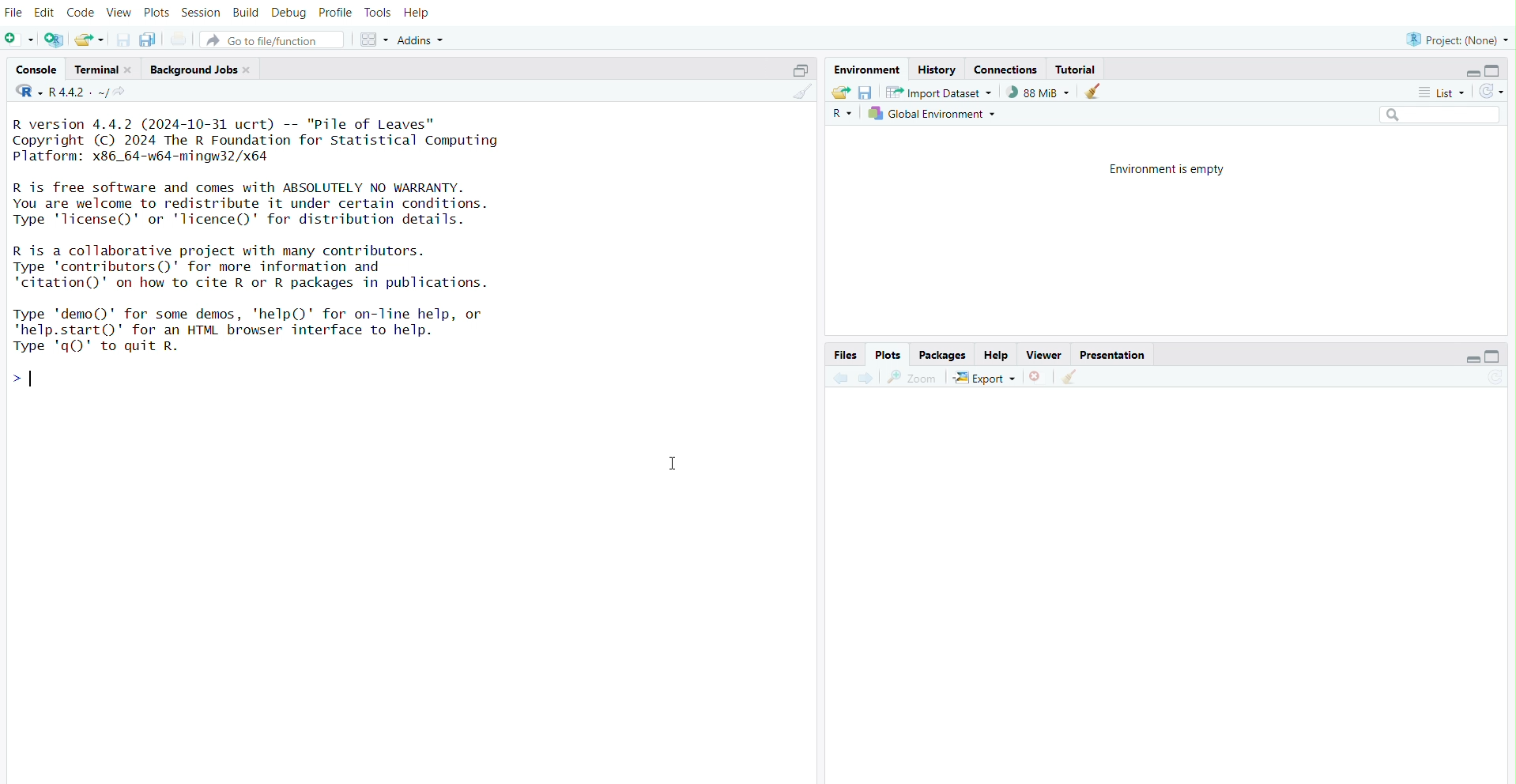 This screenshot has height=784, width=1516. I want to click on new file, so click(19, 40).